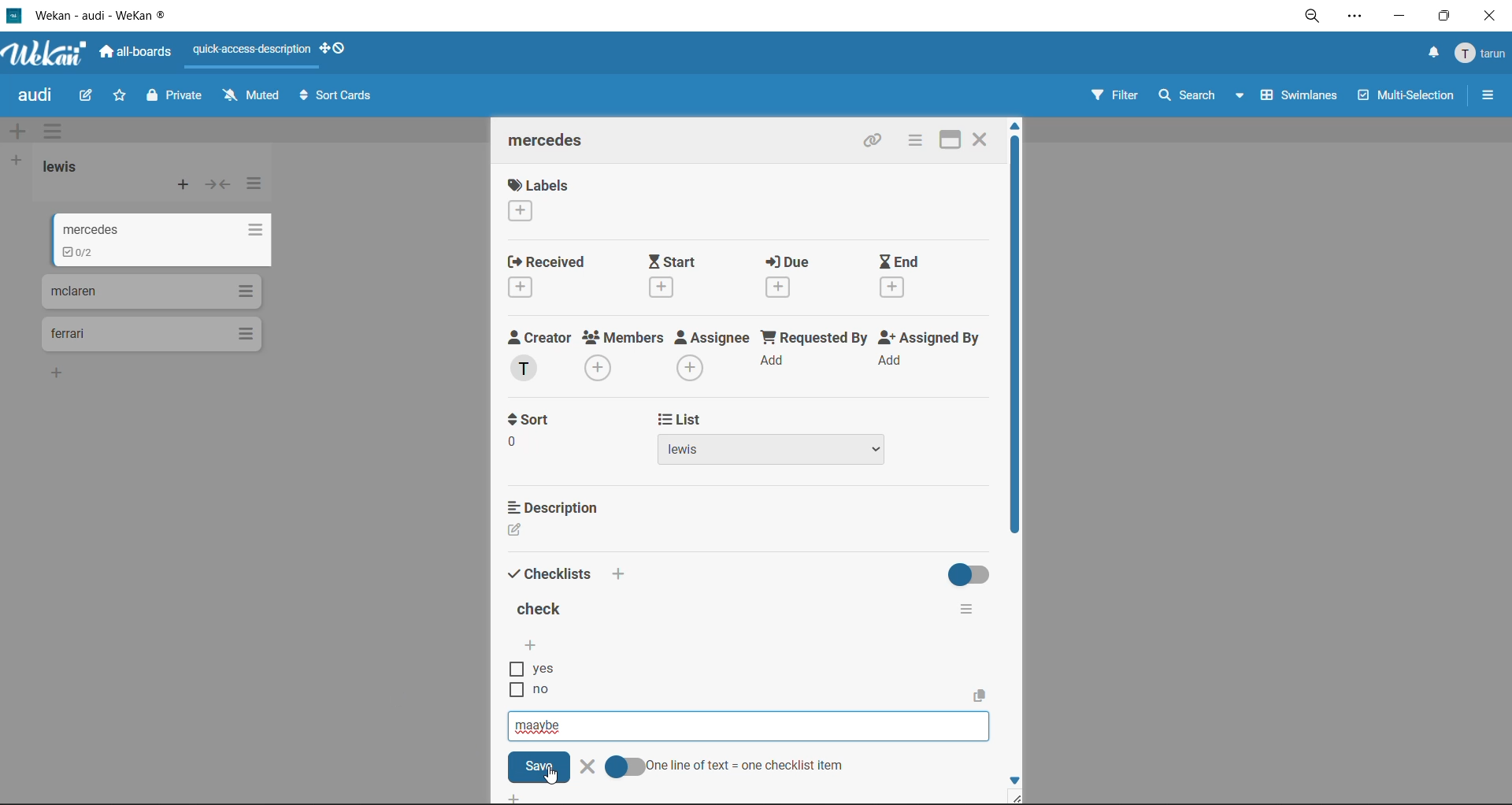  Describe the element at coordinates (37, 98) in the screenshot. I see `board title` at that location.